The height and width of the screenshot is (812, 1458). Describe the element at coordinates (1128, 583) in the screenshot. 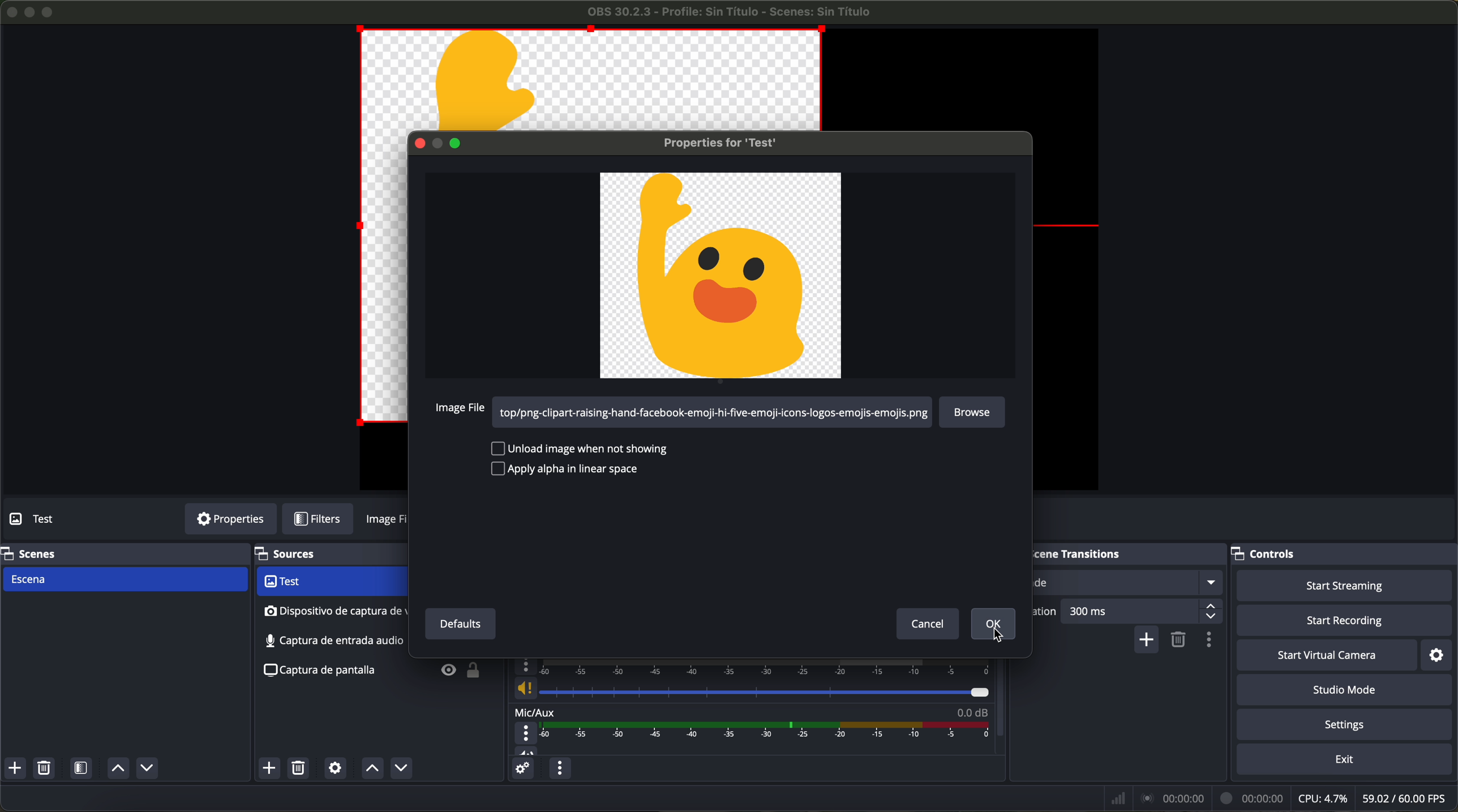

I see `fade` at that location.